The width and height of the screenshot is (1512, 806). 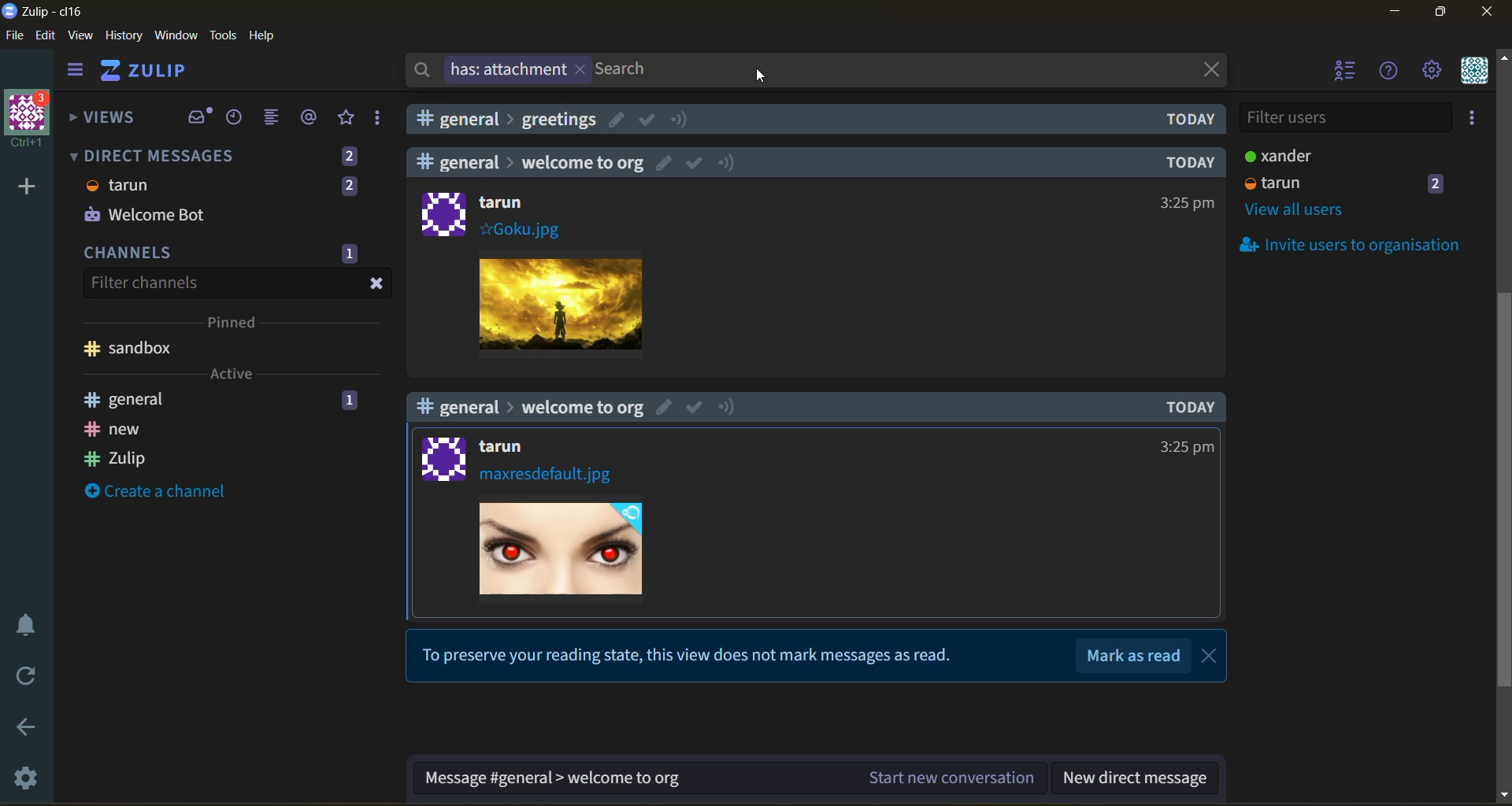 What do you see at coordinates (1444, 12) in the screenshot?
I see `maximize` at bounding box center [1444, 12].